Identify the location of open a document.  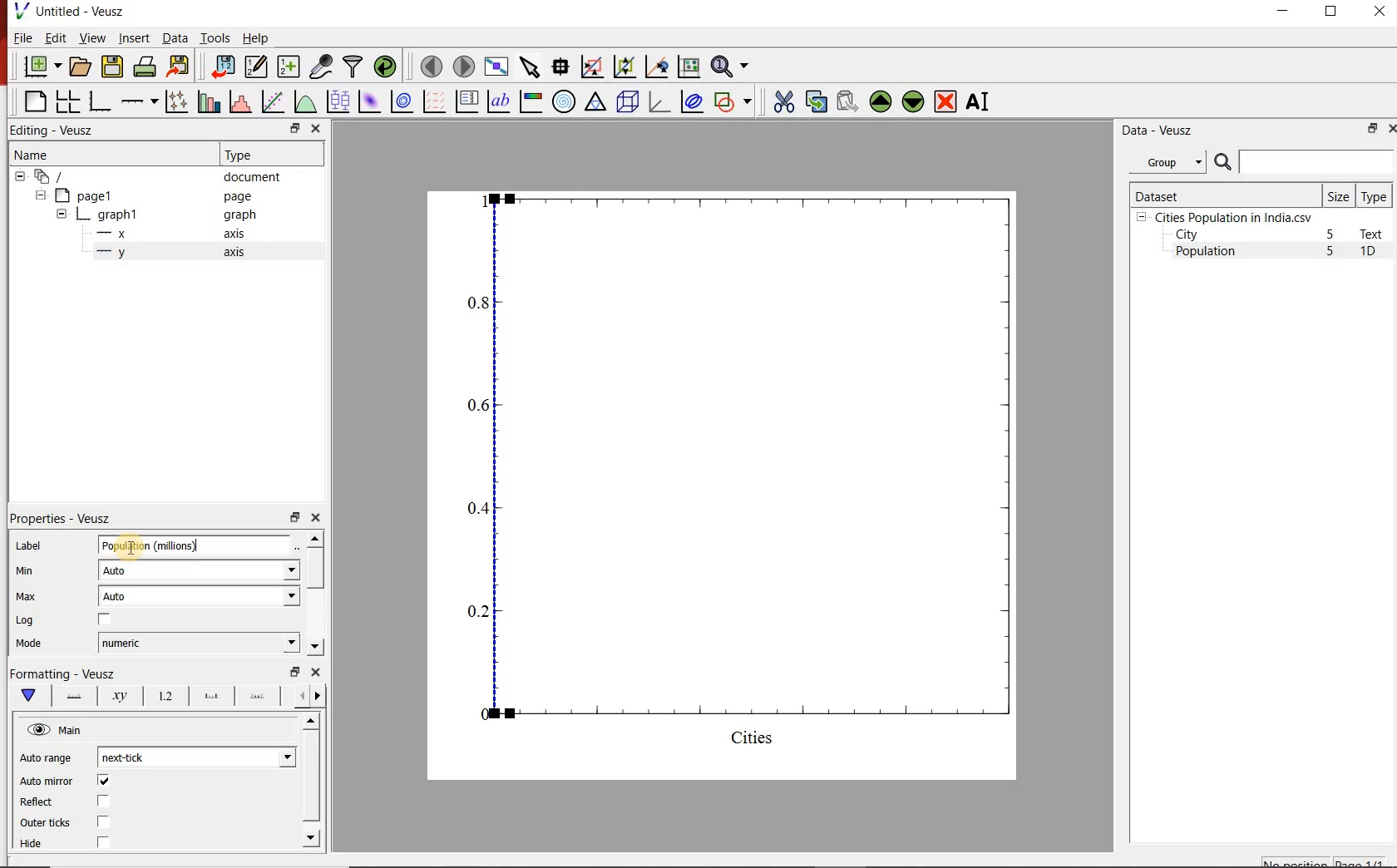
(79, 67).